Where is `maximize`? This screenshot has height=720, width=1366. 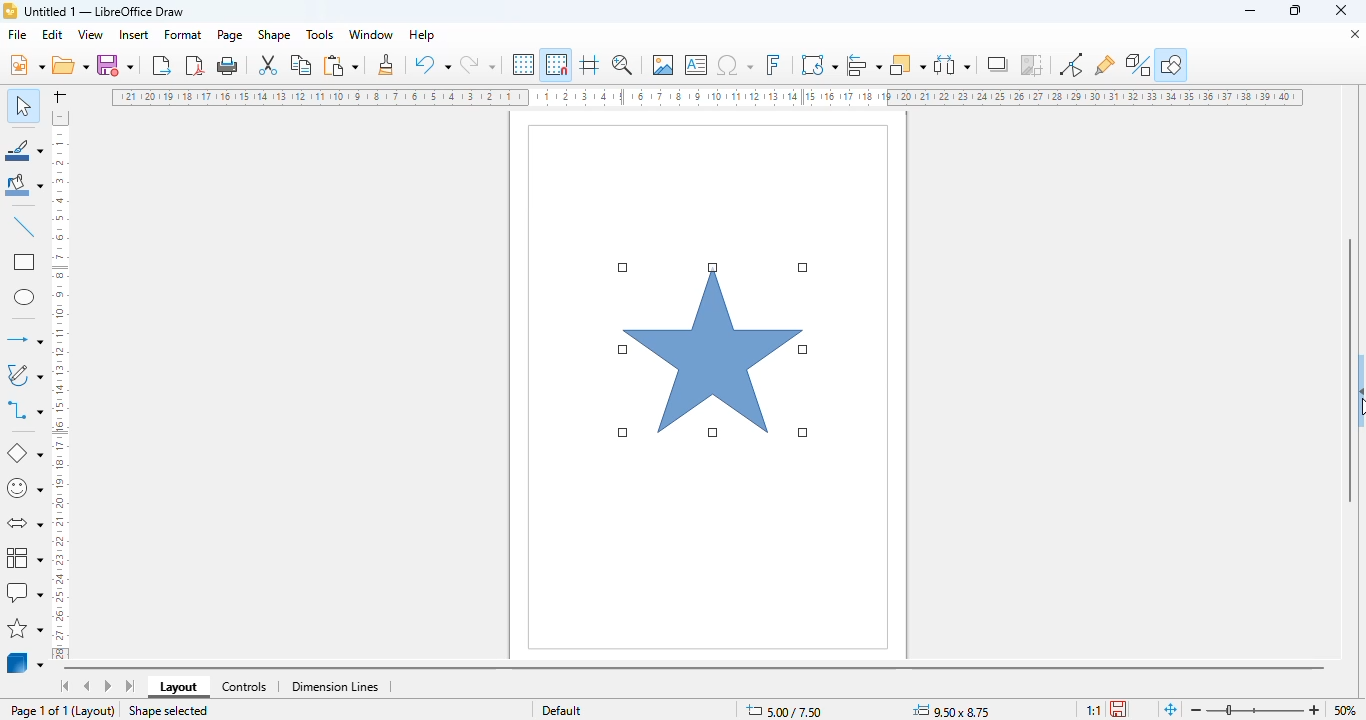
maximize is located at coordinates (1295, 11).